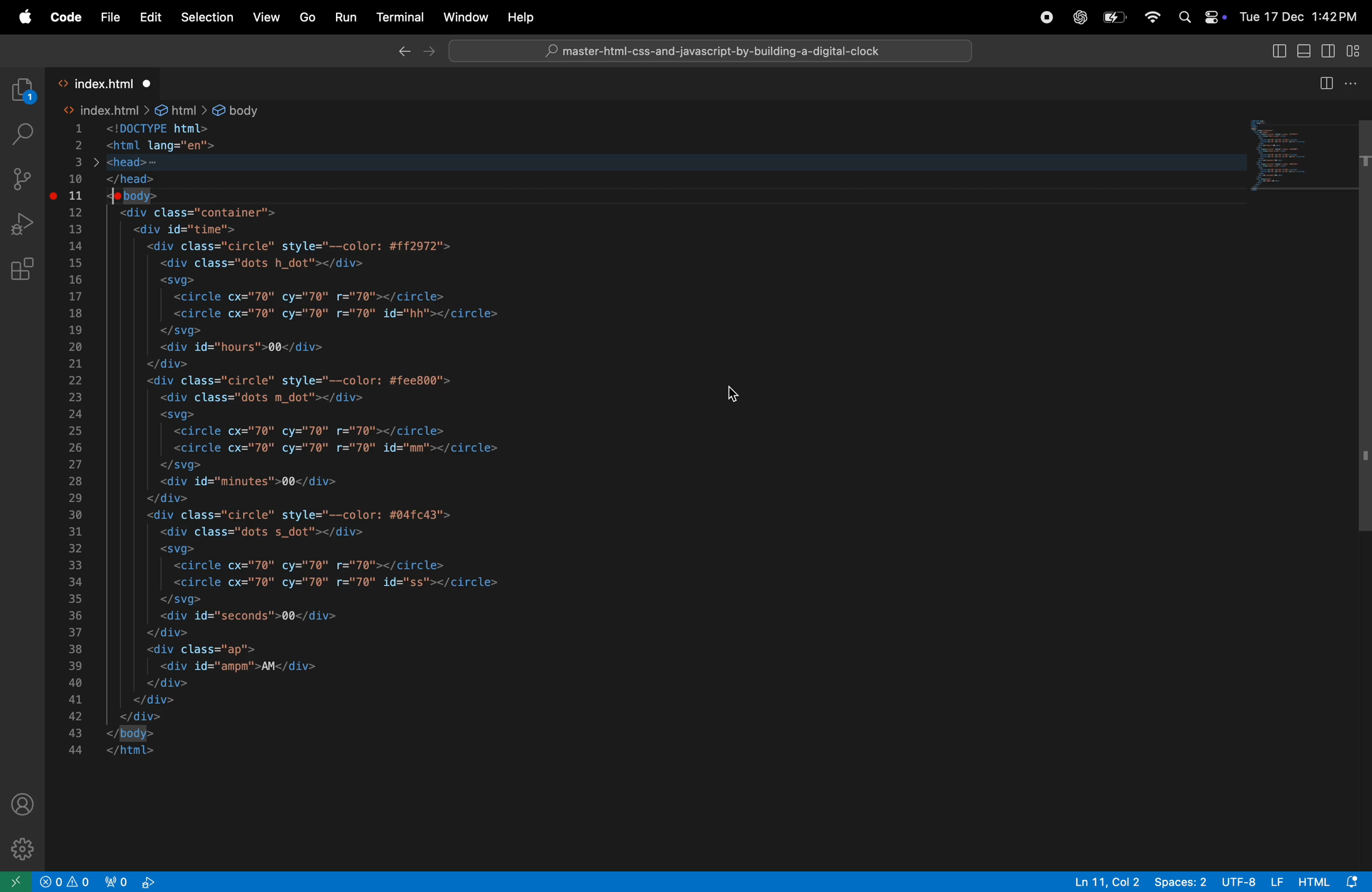 This screenshot has height=892, width=1372. Describe the element at coordinates (67, 882) in the screenshot. I see `no problems` at that location.